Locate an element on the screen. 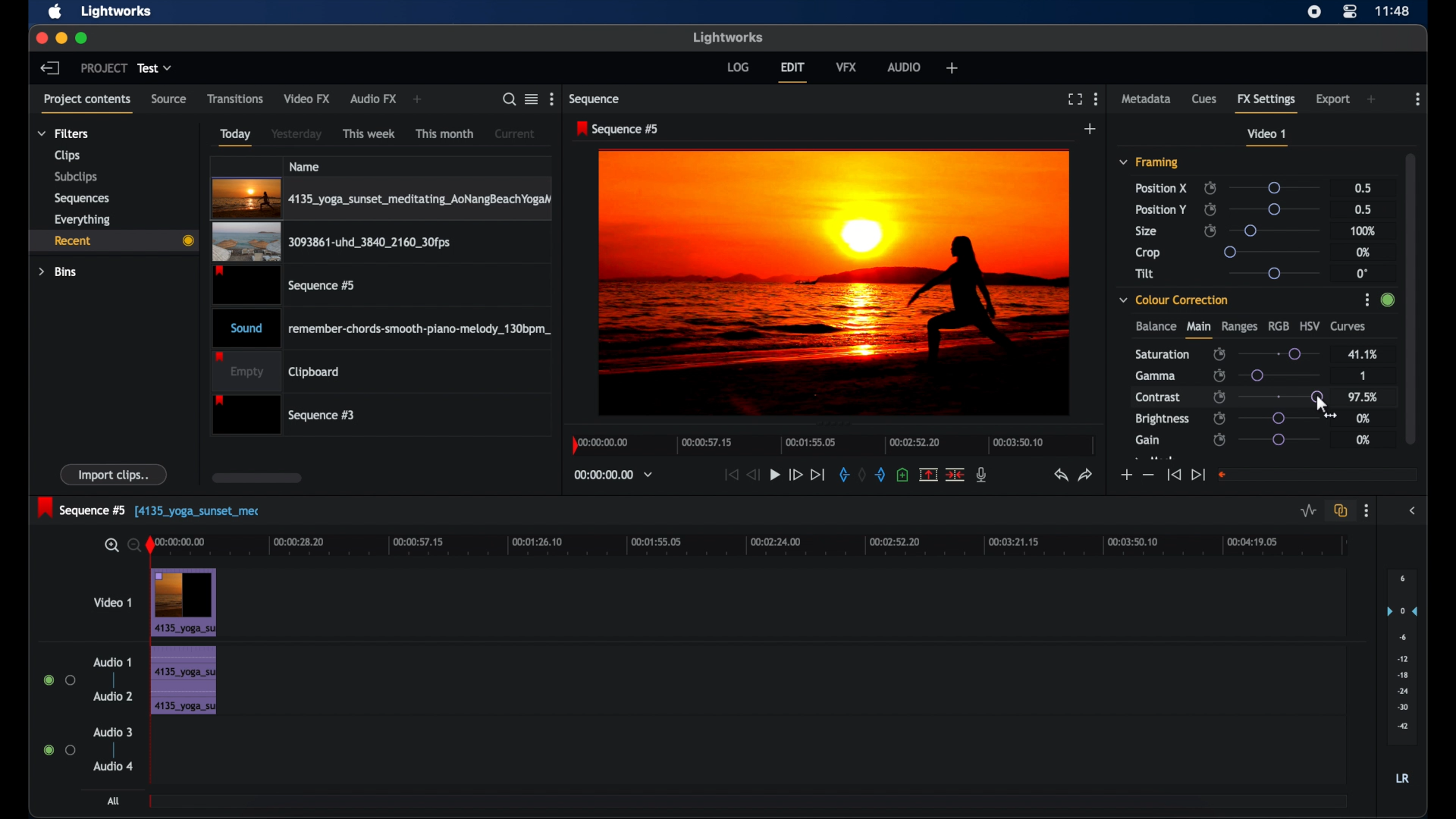 The width and height of the screenshot is (1456, 819). rewind is located at coordinates (755, 475).